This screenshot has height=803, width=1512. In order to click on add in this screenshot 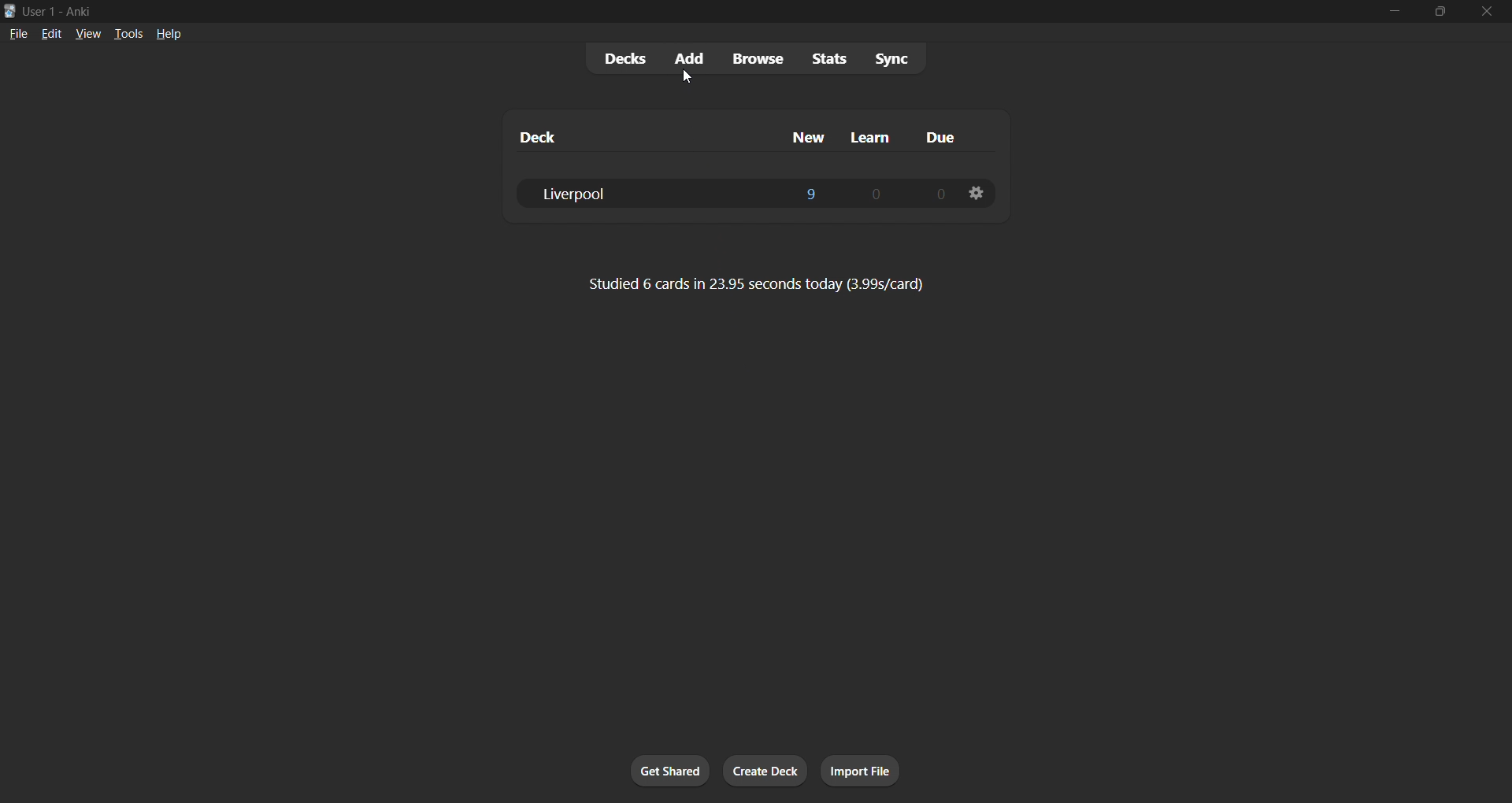, I will do `click(685, 56)`.